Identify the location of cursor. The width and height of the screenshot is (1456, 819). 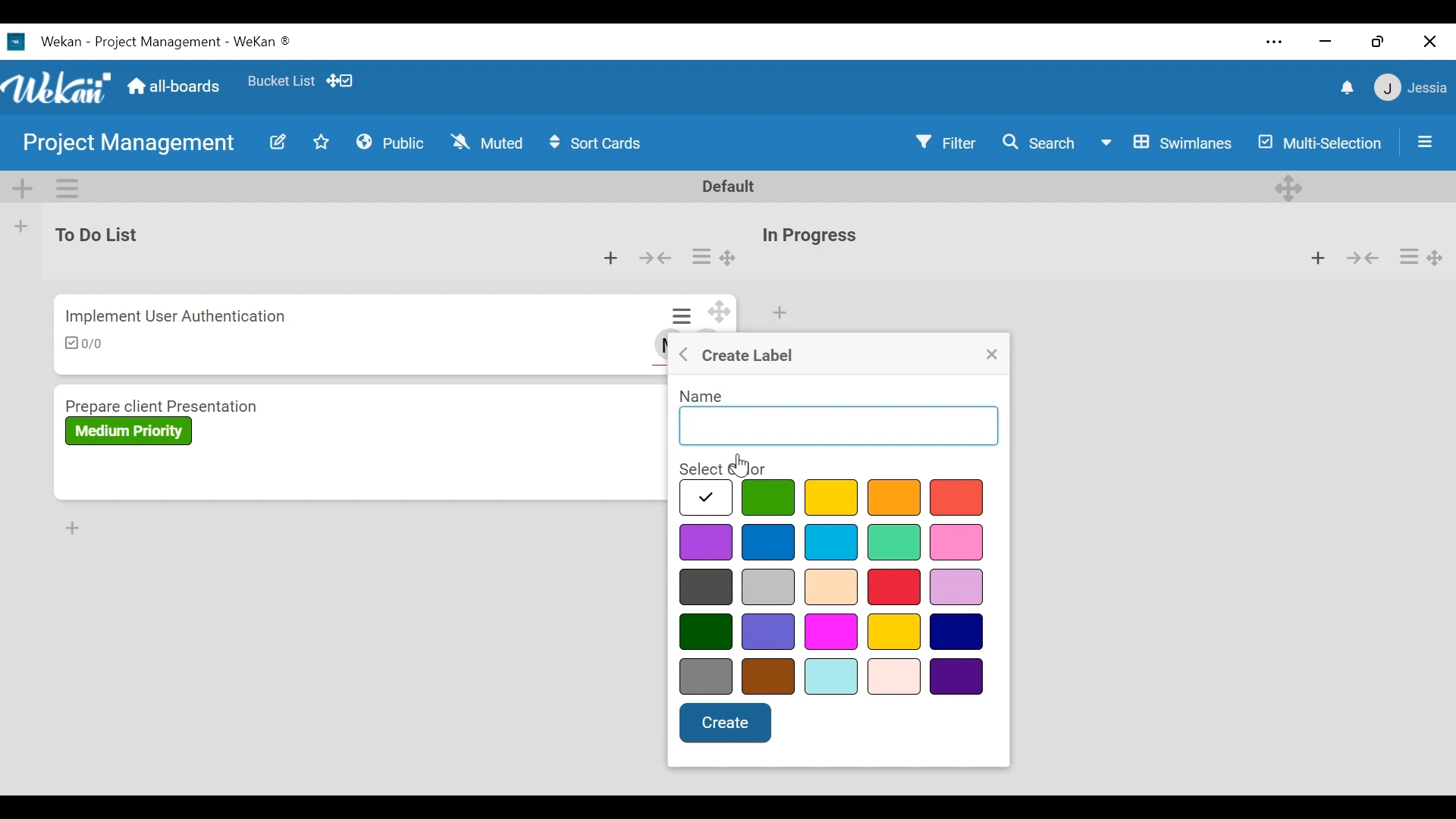
(954, 501).